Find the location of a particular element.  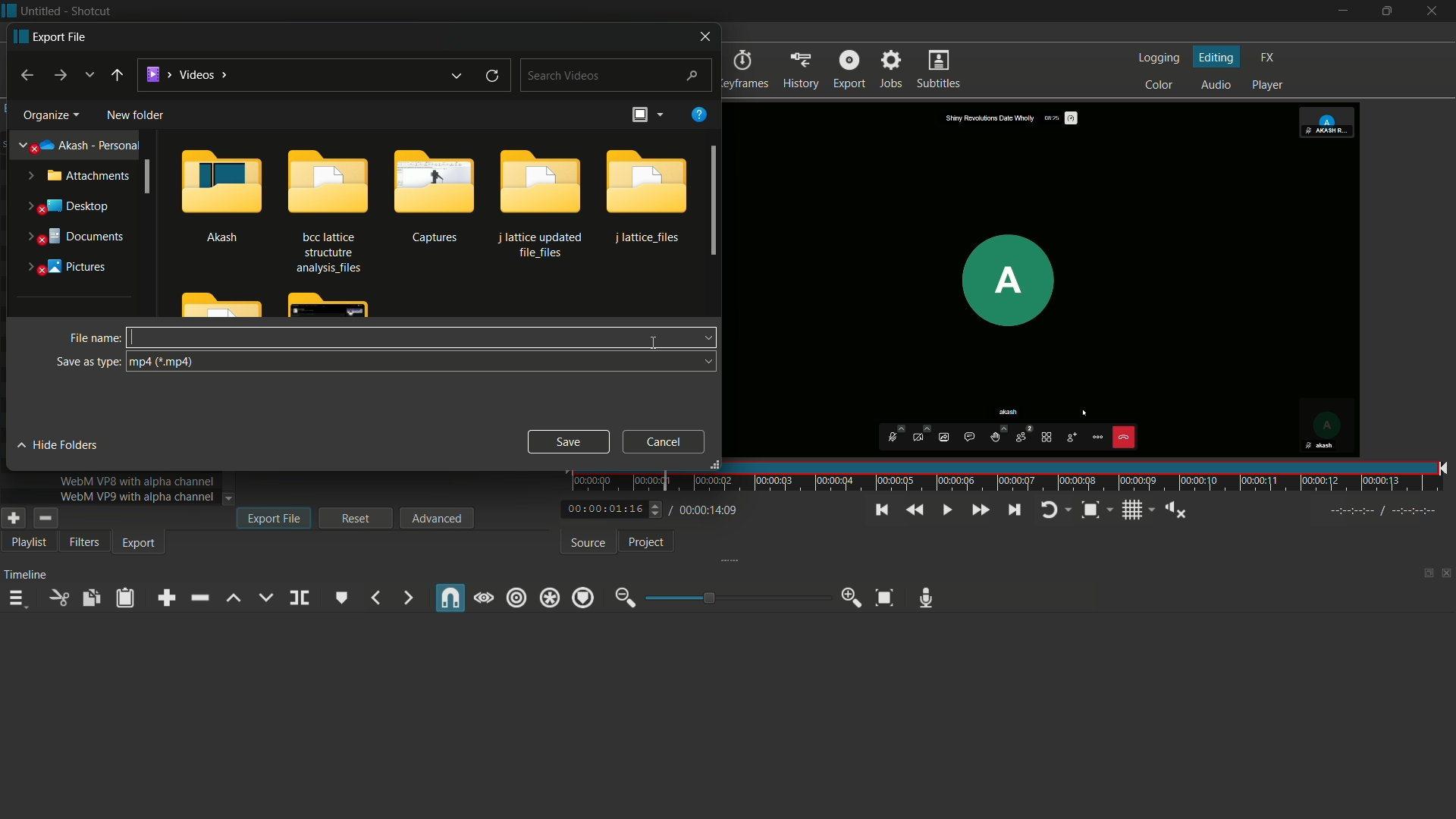

save as type is located at coordinates (88, 362).